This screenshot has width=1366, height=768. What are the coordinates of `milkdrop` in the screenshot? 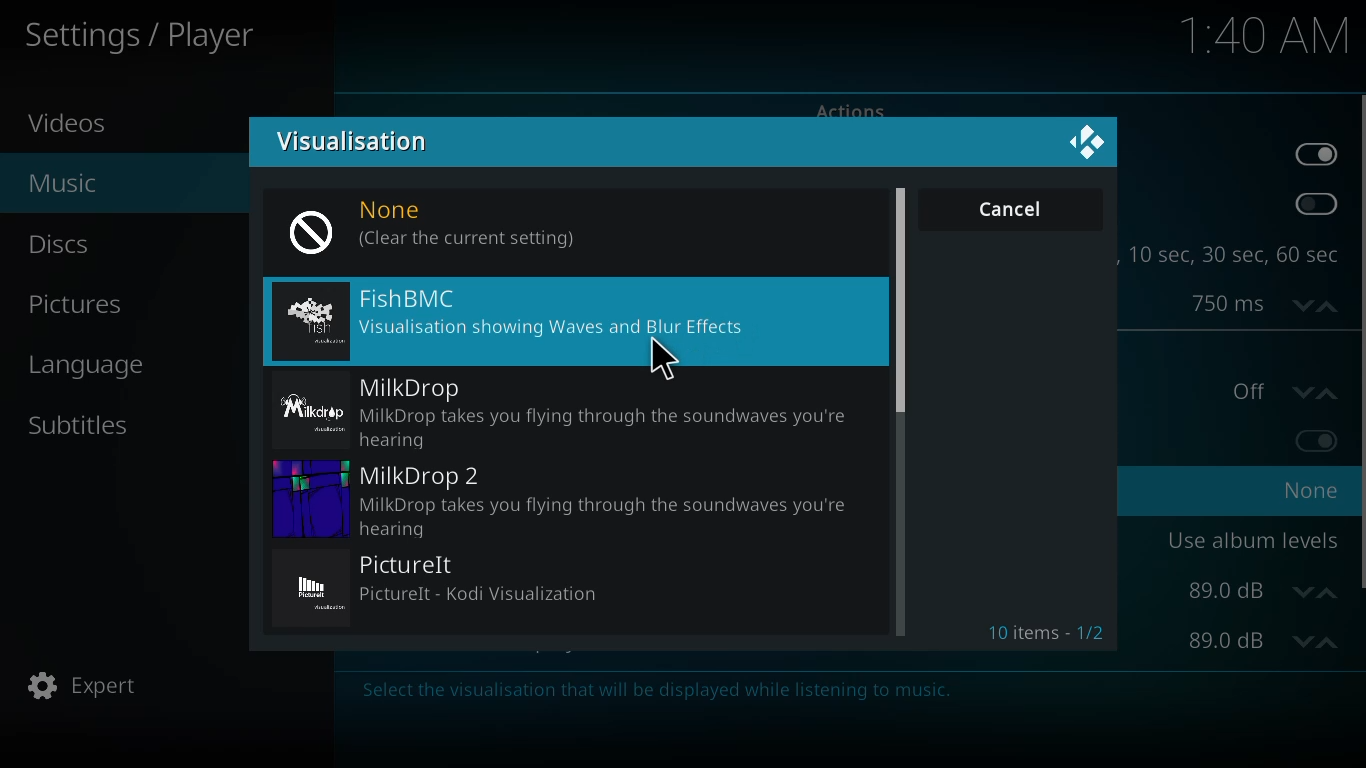 It's located at (562, 408).